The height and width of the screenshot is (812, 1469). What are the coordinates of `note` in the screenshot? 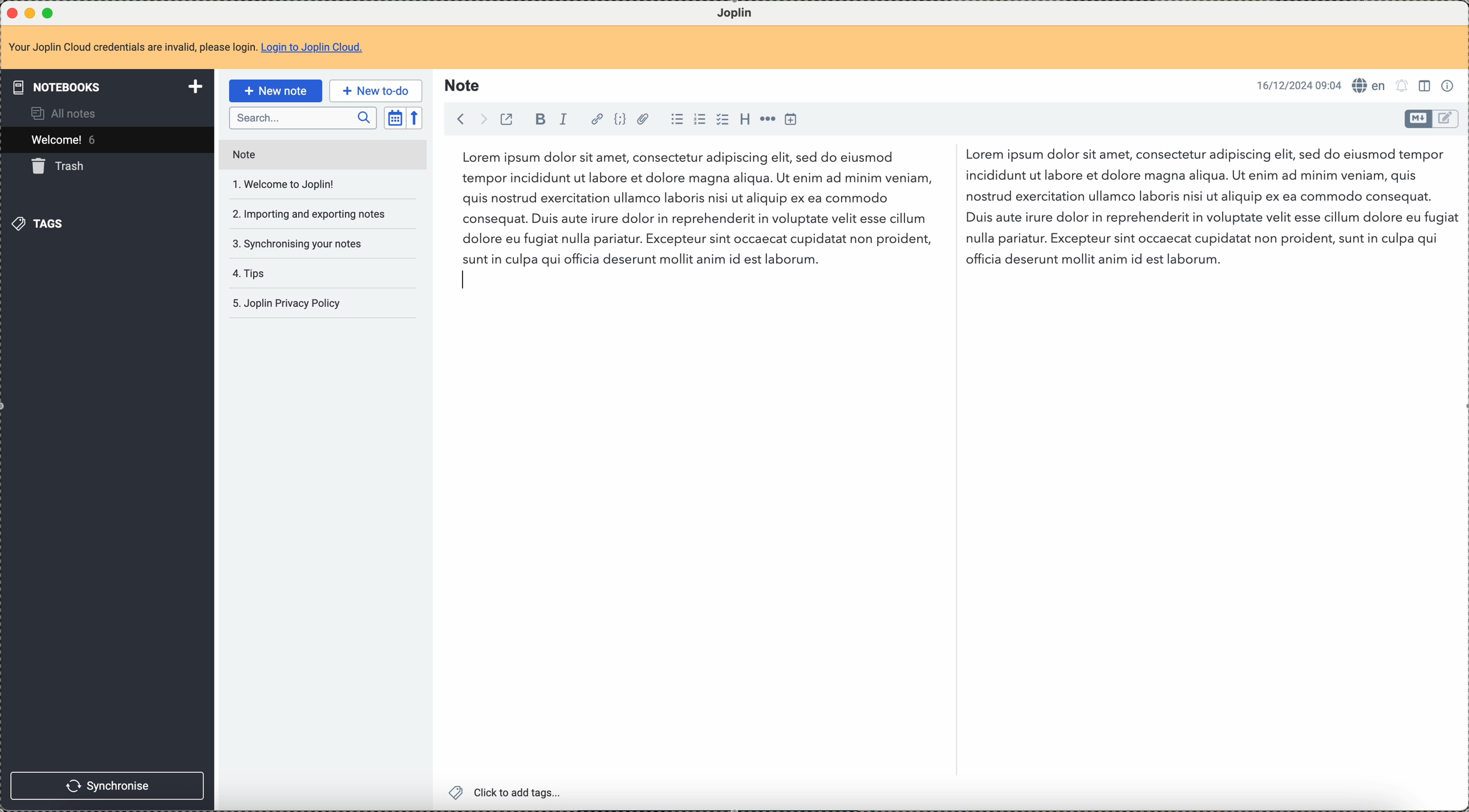 It's located at (242, 153).